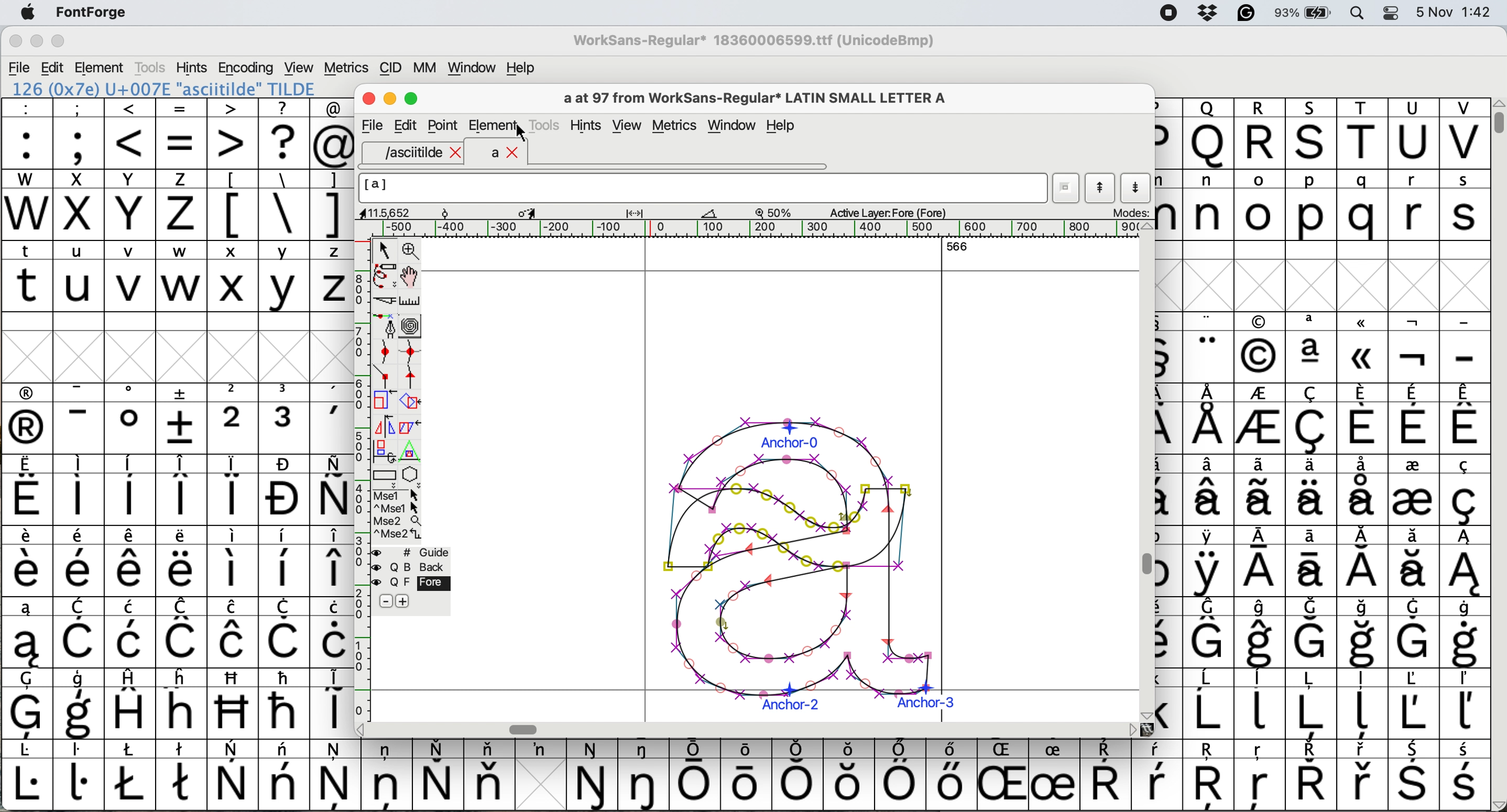  What do you see at coordinates (412, 583) in the screenshot?
I see `fore` at bounding box center [412, 583].